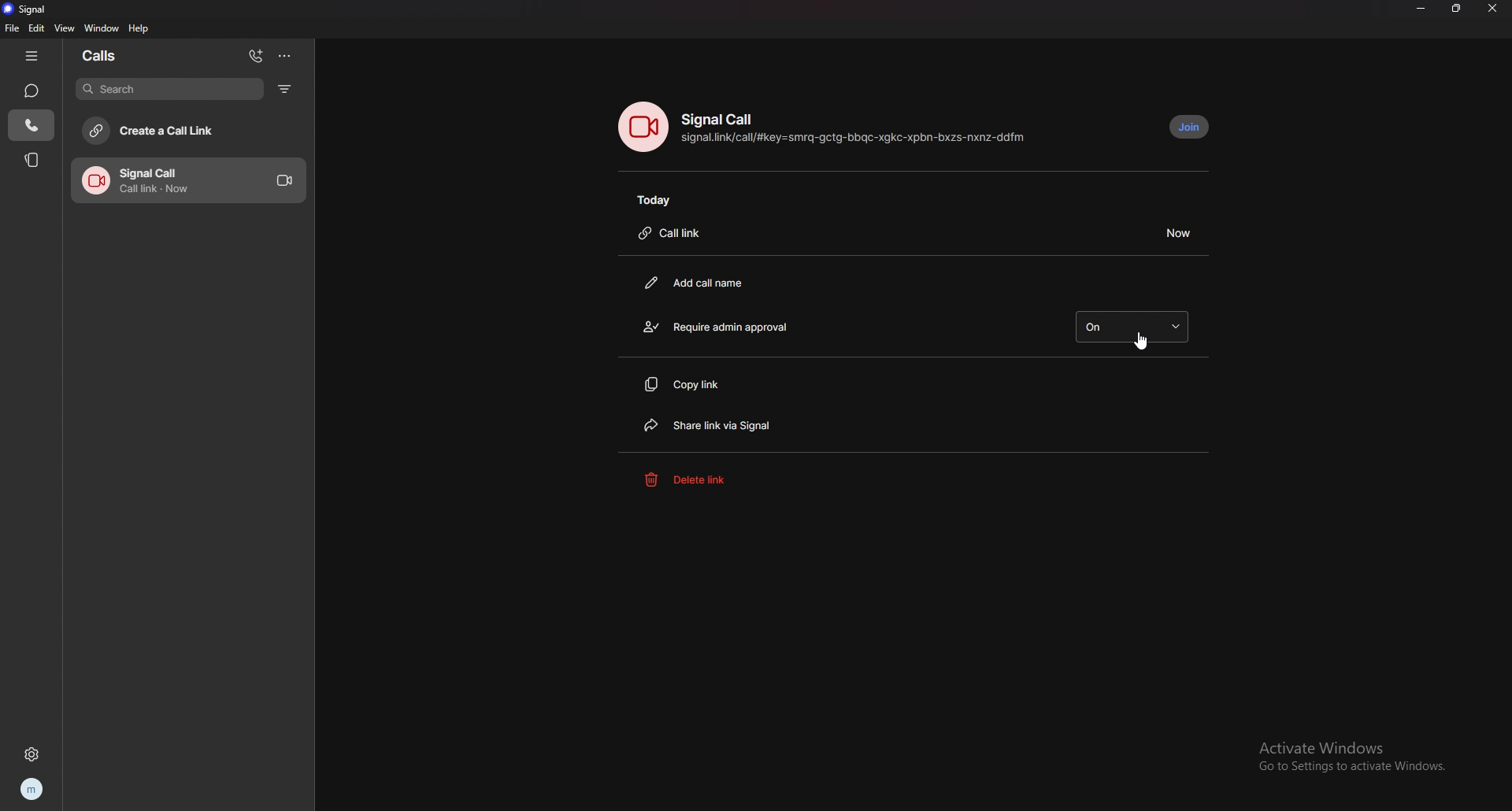 The width and height of the screenshot is (1512, 811). What do you see at coordinates (139, 28) in the screenshot?
I see `help` at bounding box center [139, 28].